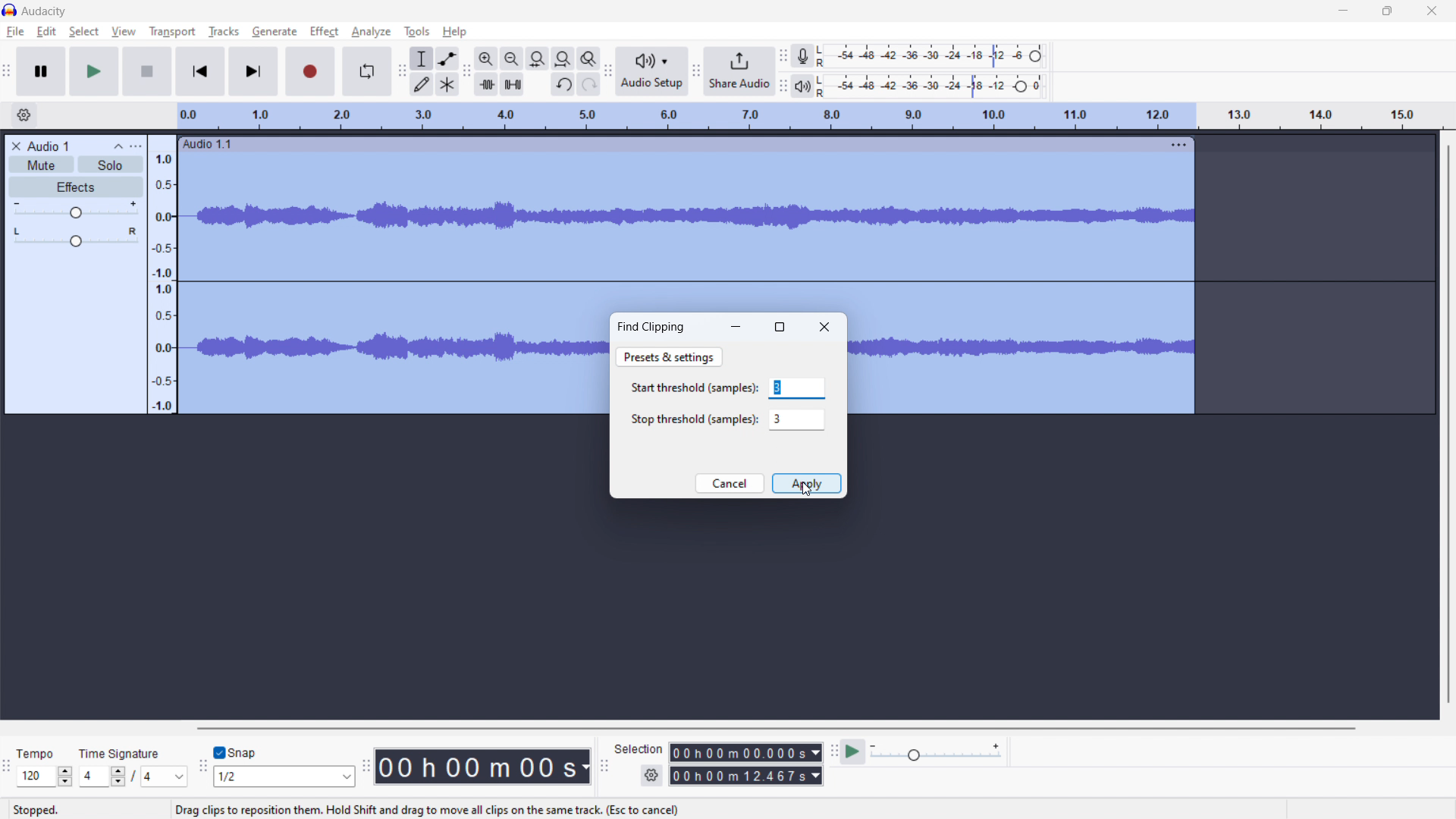 This screenshot has height=819, width=1456. What do you see at coordinates (486, 83) in the screenshot?
I see `trim audio outside selection` at bounding box center [486, 83].